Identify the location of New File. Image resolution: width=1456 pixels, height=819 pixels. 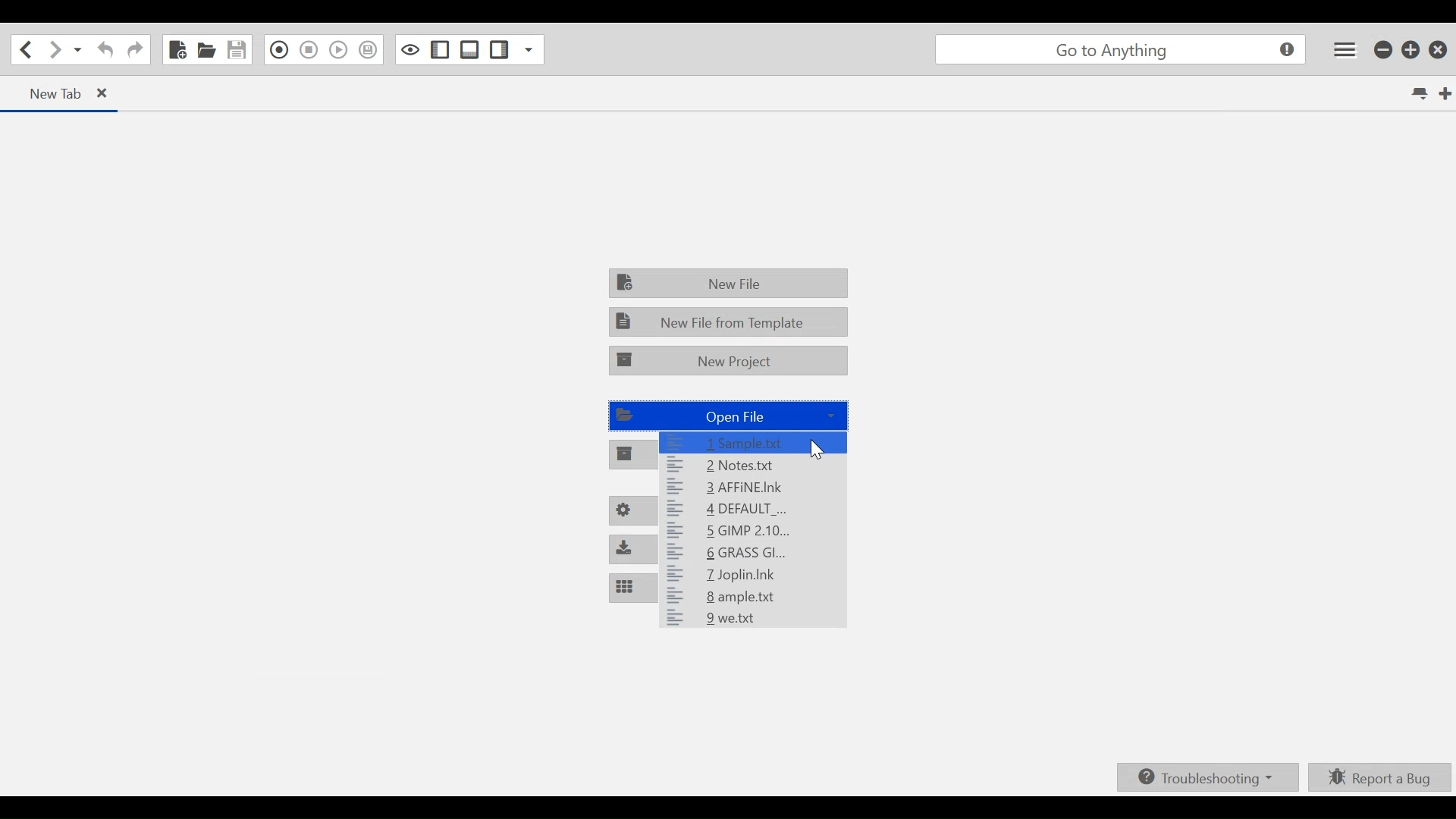
(178, 49).